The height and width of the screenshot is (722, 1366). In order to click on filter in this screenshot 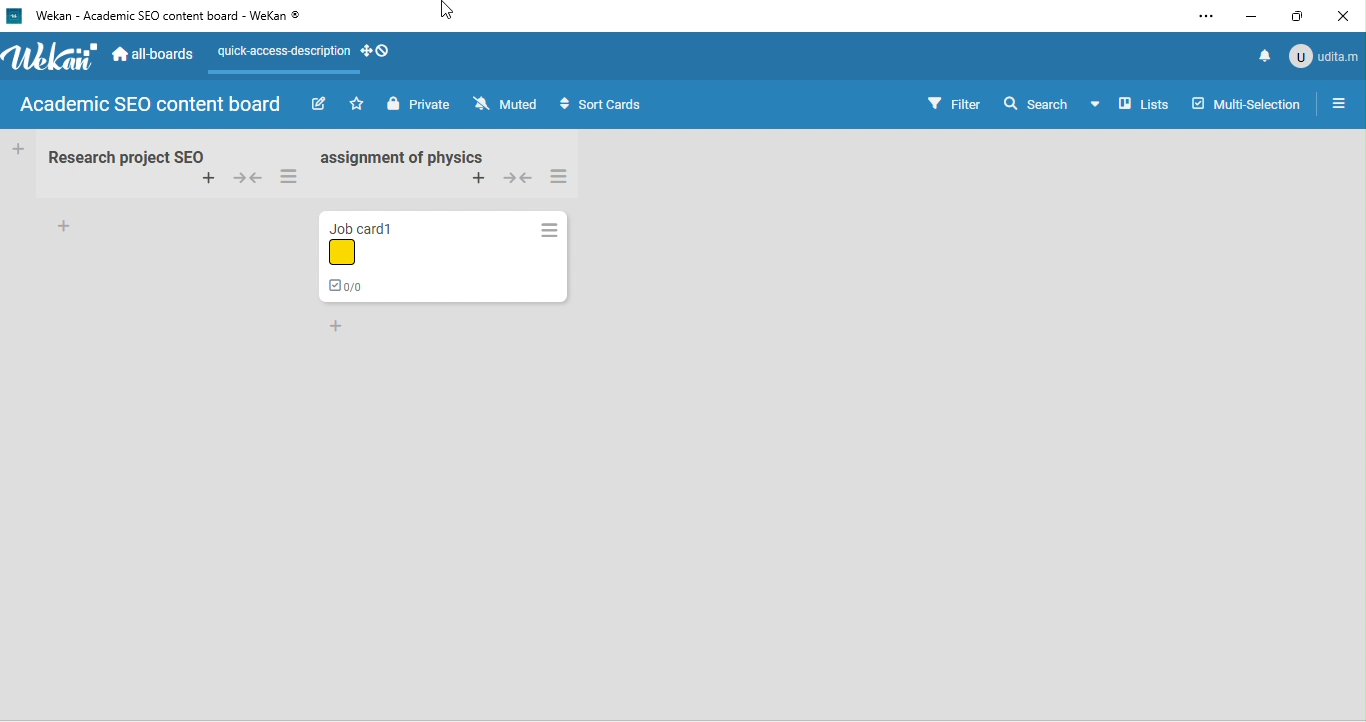, I will do `click(955, 102)`.